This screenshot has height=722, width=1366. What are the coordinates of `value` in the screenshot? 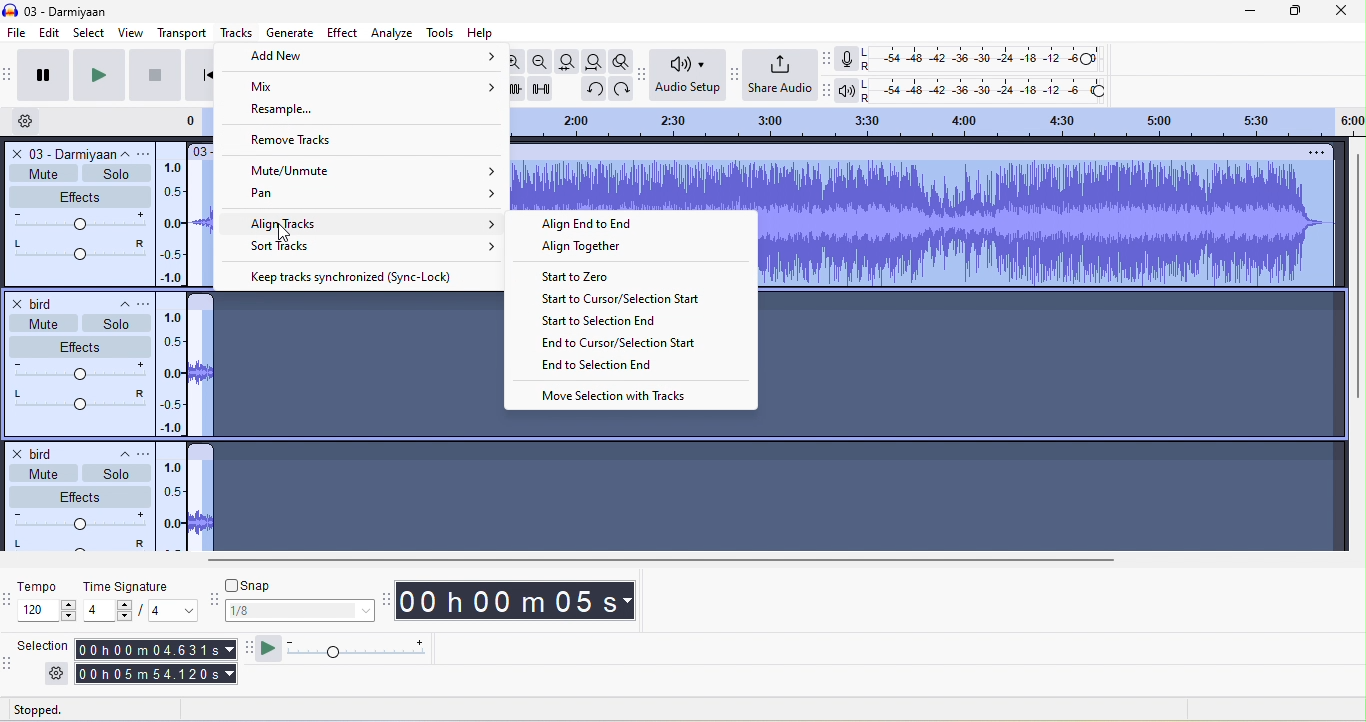 It's located at (165, 611).